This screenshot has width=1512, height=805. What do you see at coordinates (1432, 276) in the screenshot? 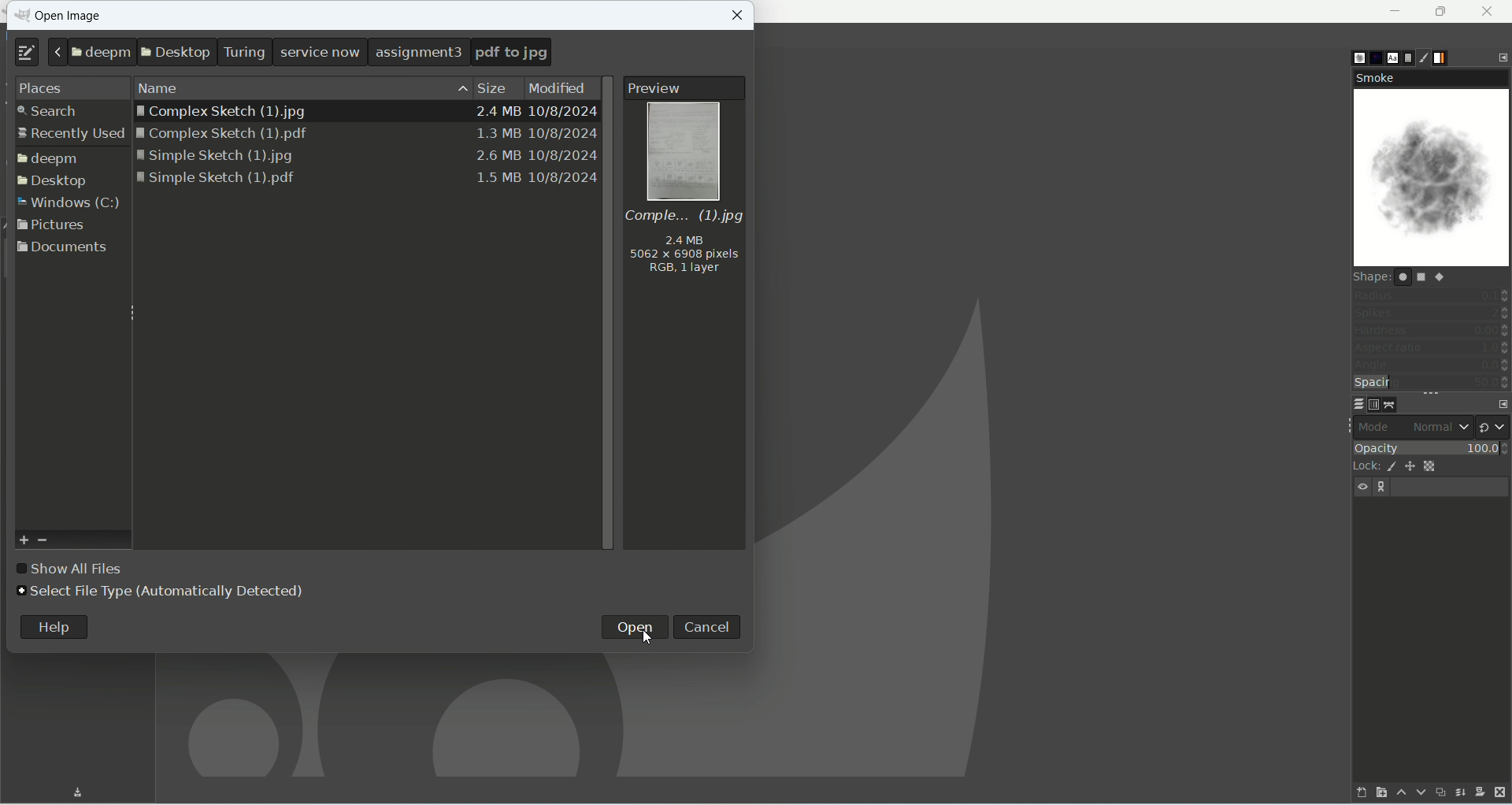
I see `shape` at bounding box center [1432, 276].